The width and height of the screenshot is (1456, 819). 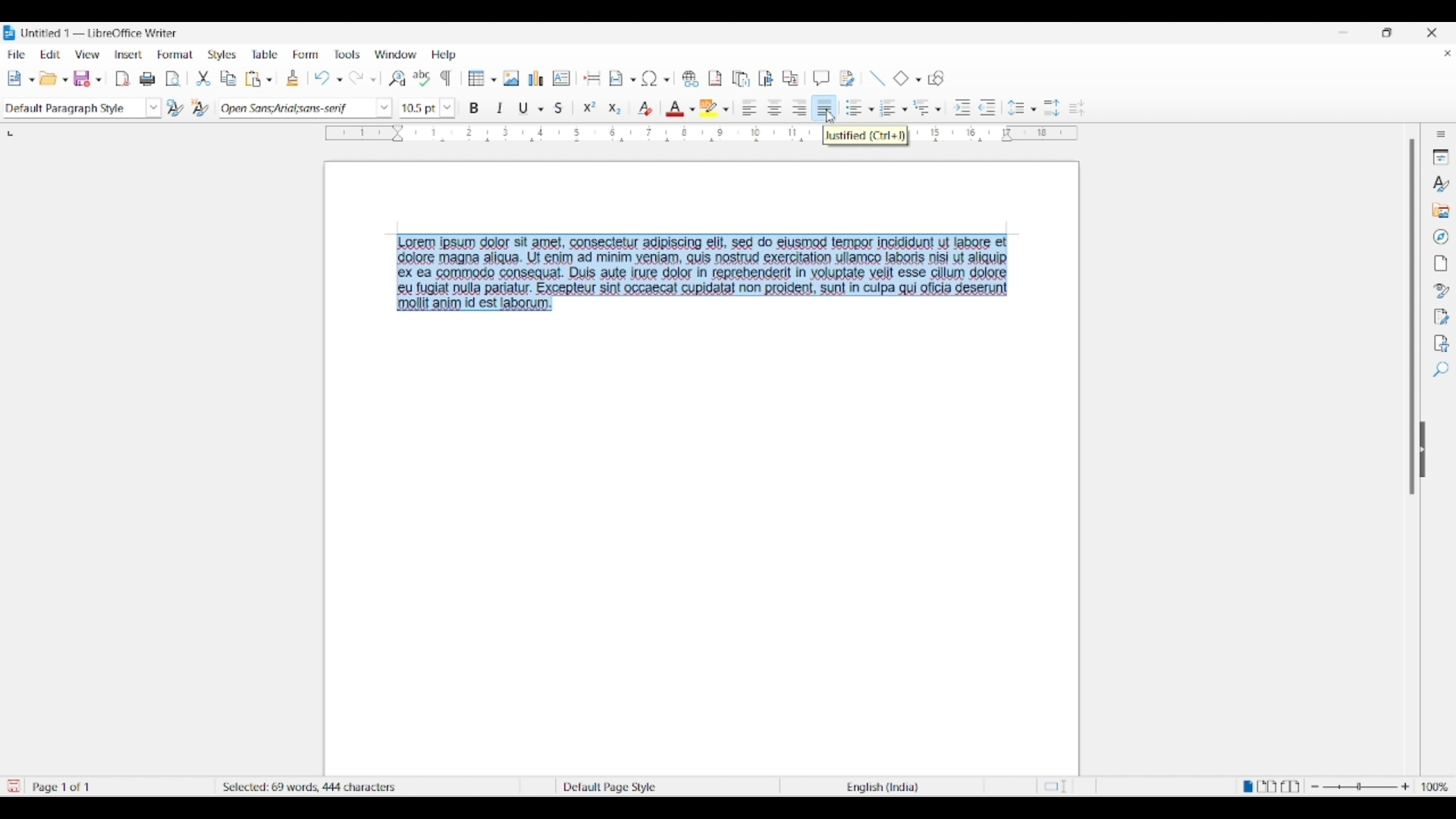 I want to click on Font name options, so click(x=384, y=108).